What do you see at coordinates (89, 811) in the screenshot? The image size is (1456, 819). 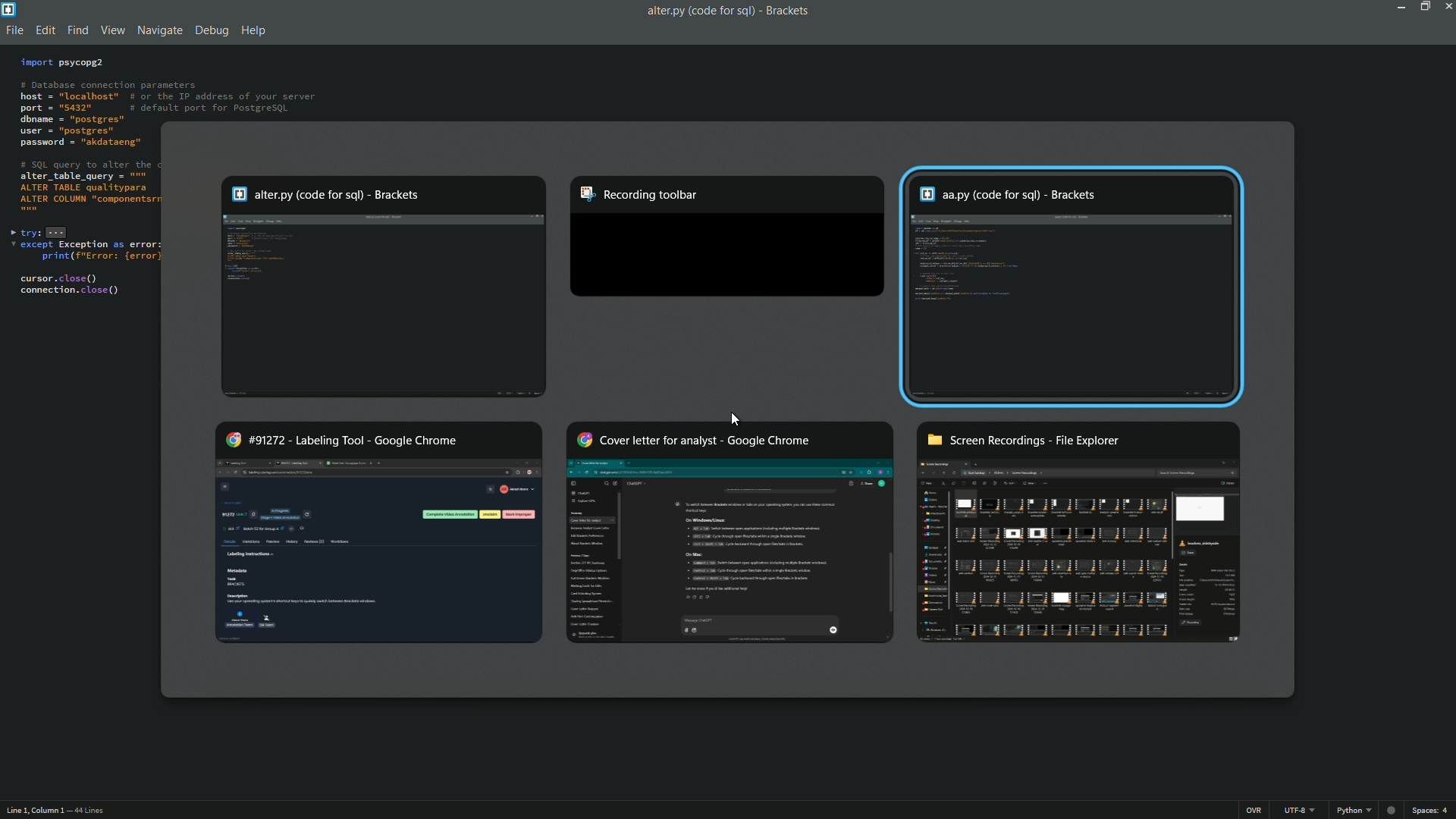 I see `44 lines` at bounding box center [89, 811].